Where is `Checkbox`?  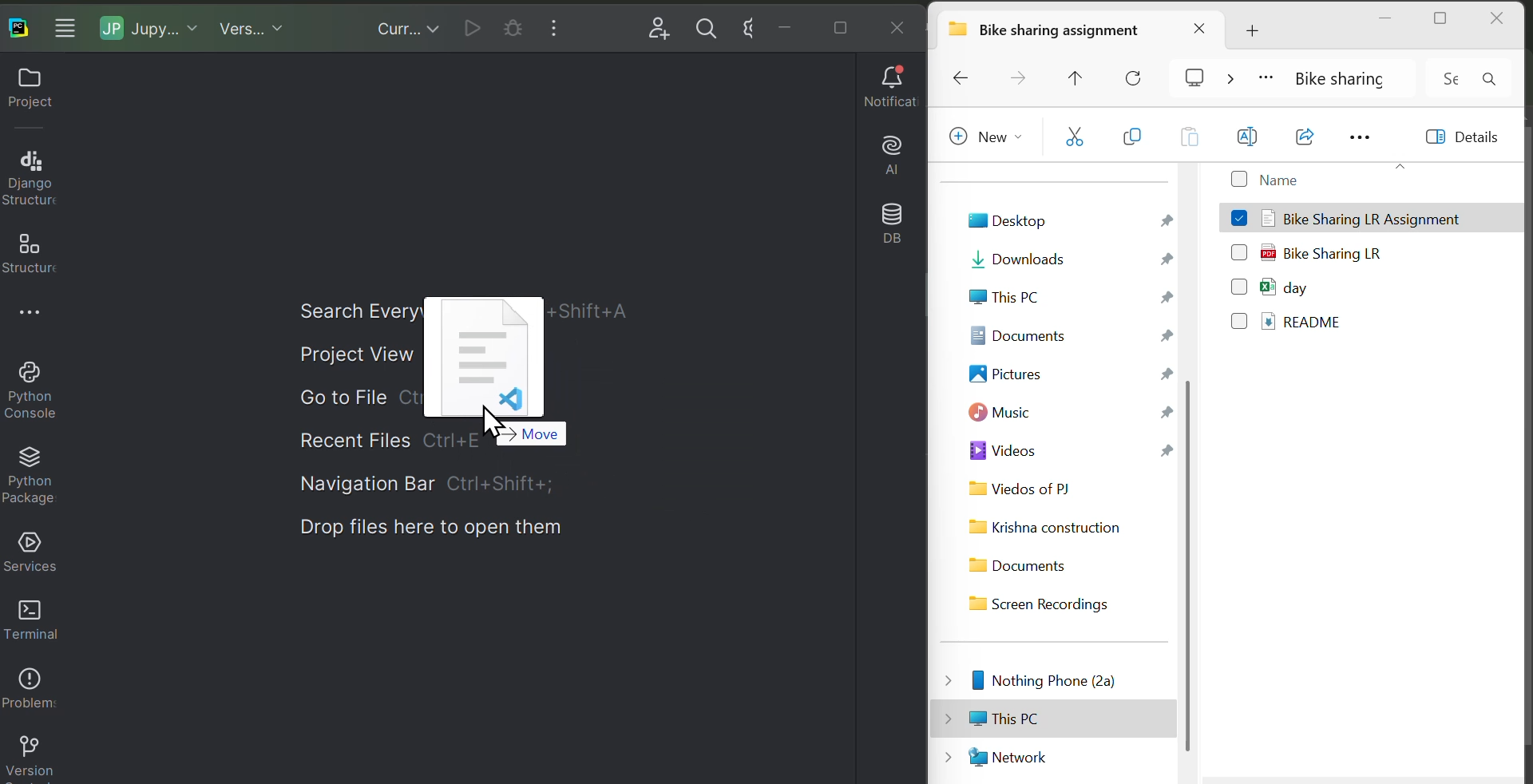 Checkbox is located at coordinates (1239, 285).